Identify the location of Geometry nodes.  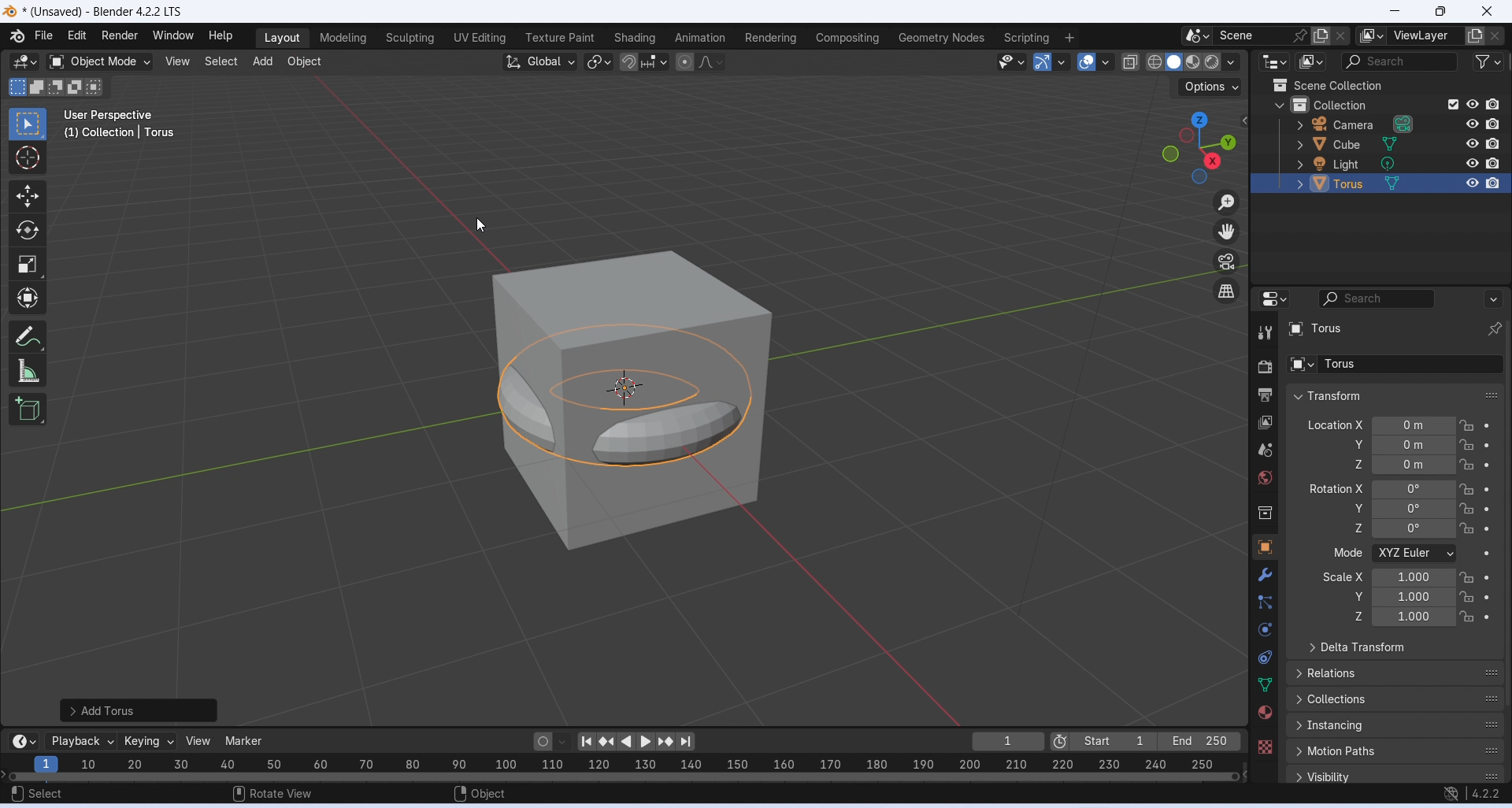
(943, 37).